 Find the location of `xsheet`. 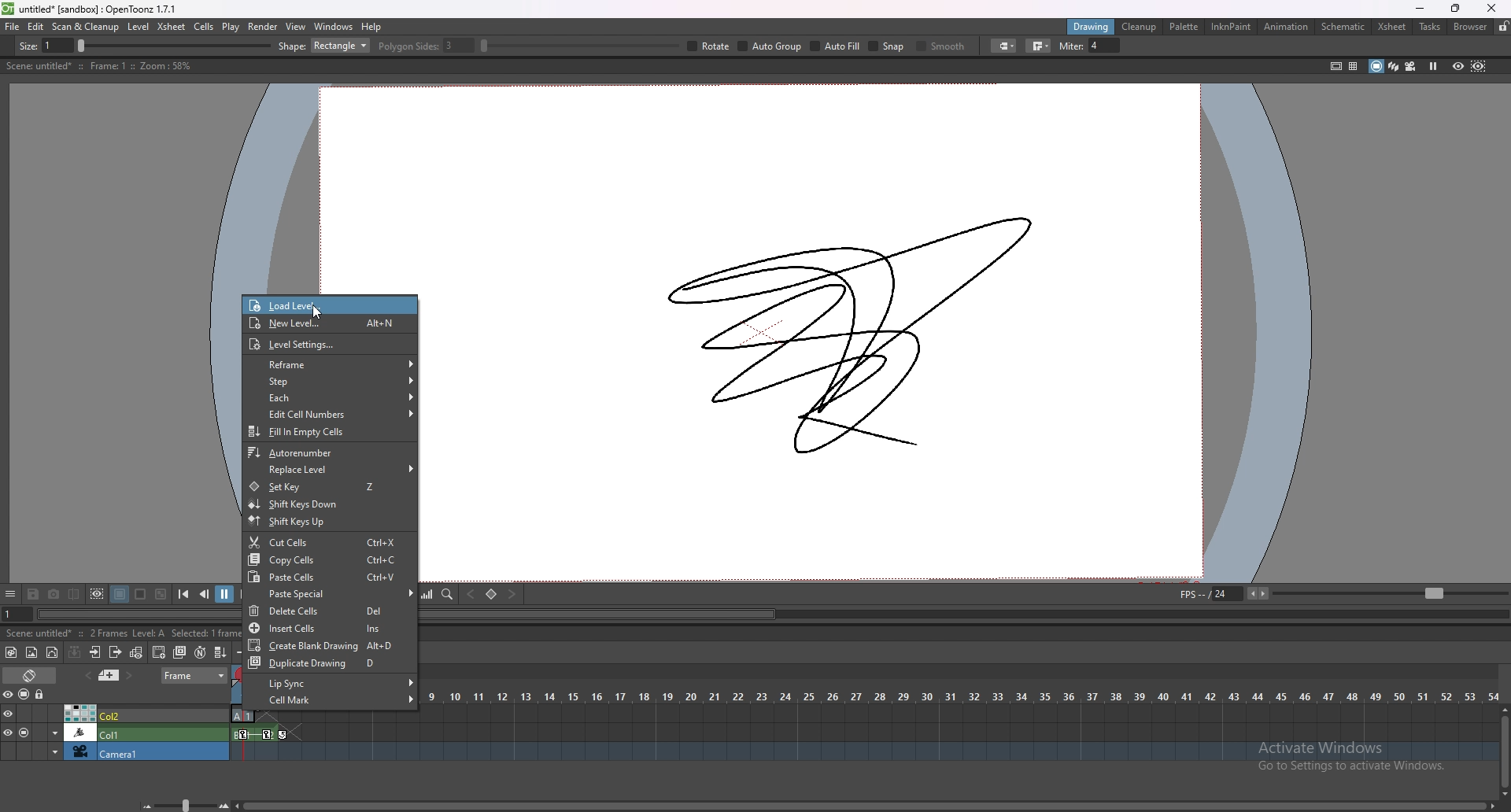

xsheet is located at coordinates (172, 26).